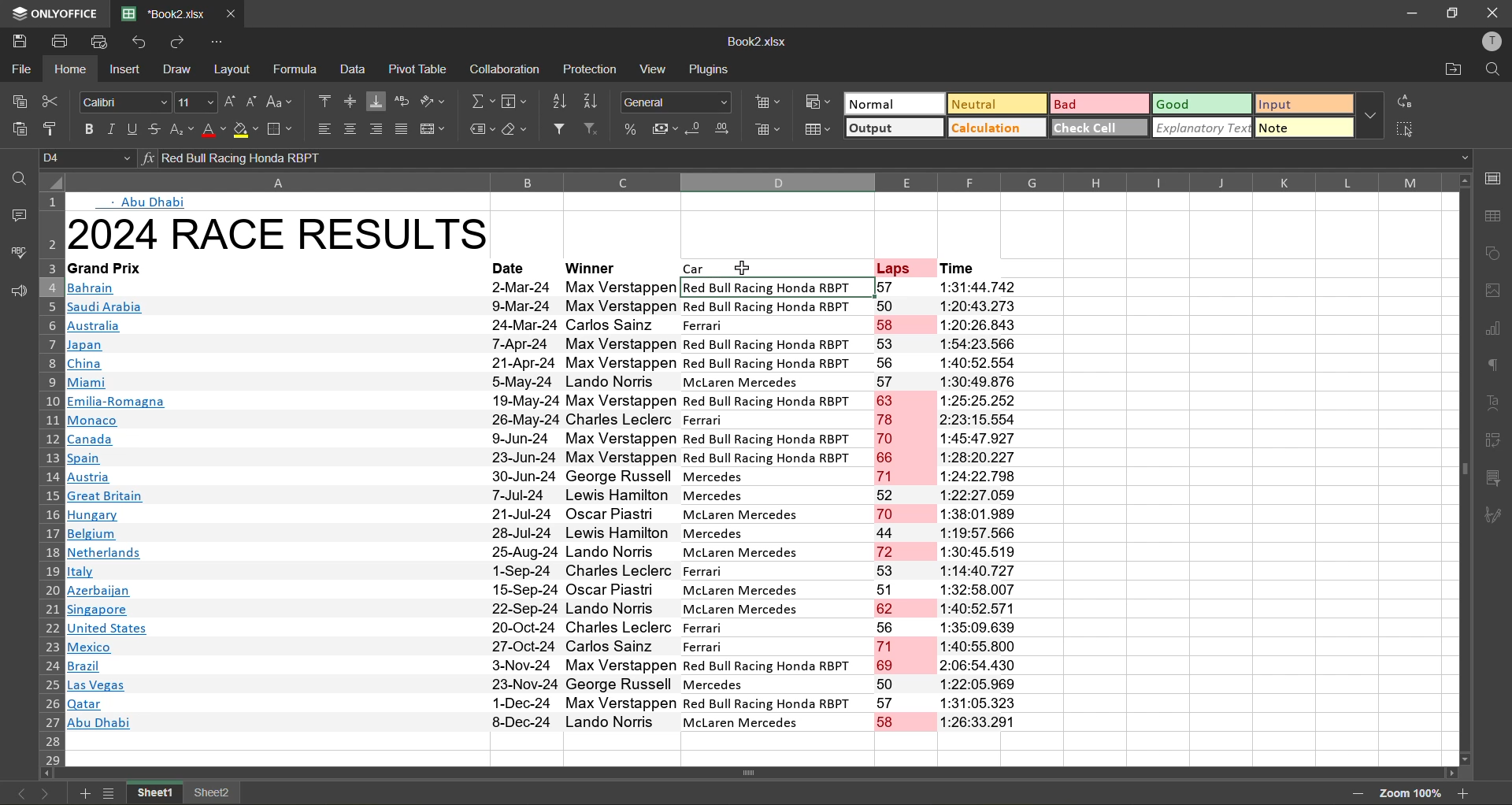 The image size is (1512, 805). What do you see at coordinates (325, 128) in the screenshot?
I see `align left` at bounding box center [325, 128].